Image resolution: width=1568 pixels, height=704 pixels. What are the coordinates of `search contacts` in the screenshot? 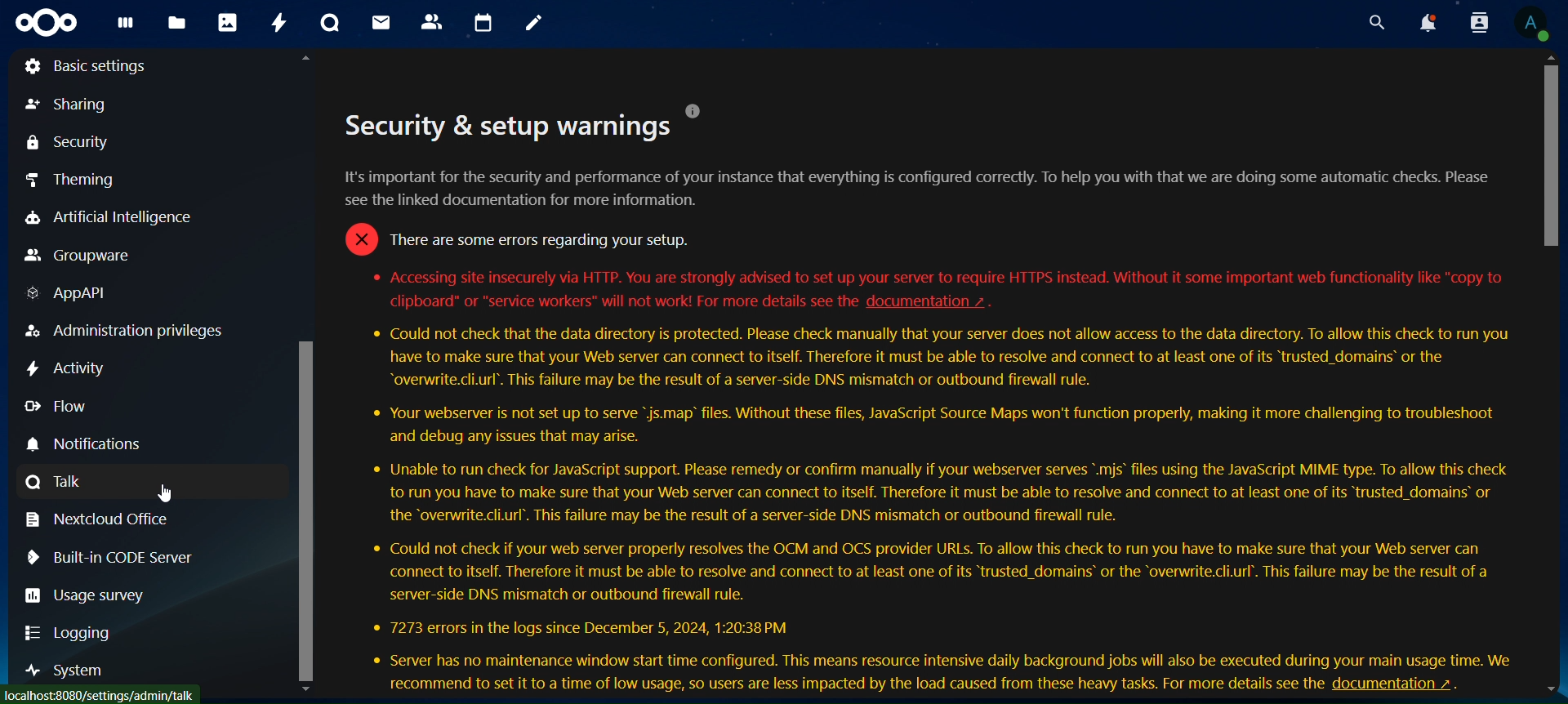 It's located at (1477, 23).